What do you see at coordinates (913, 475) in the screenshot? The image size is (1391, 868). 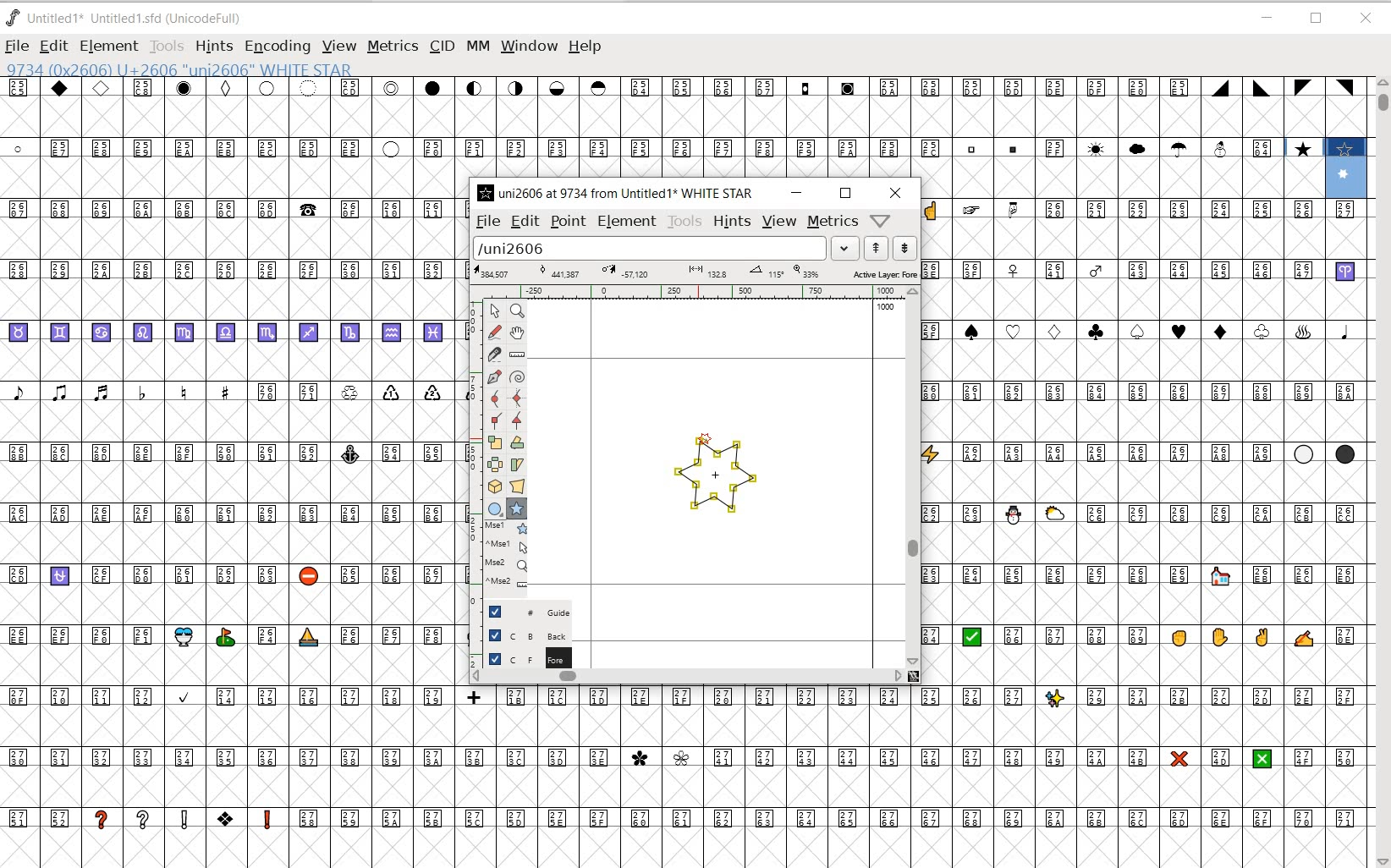 I see `SCROLLBAR` at bounding box center [913, 475].